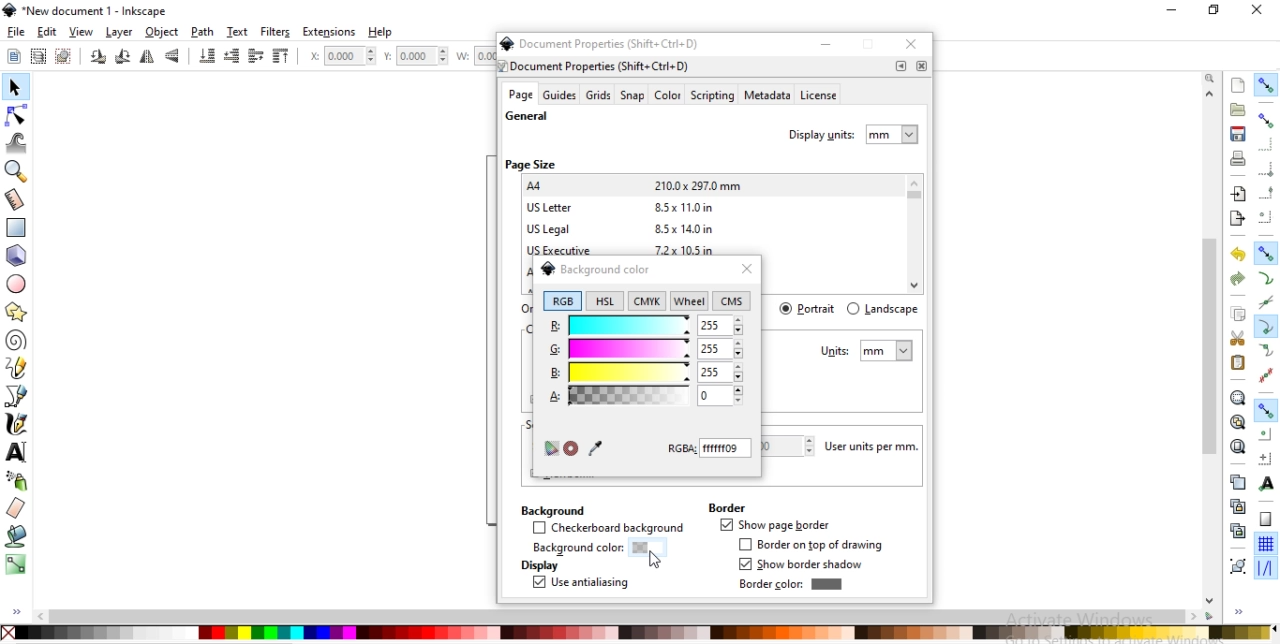  What do you see at coordinates (1236, 158) in the screenshot?
I see `print document` at bounding box center [1236, 158].